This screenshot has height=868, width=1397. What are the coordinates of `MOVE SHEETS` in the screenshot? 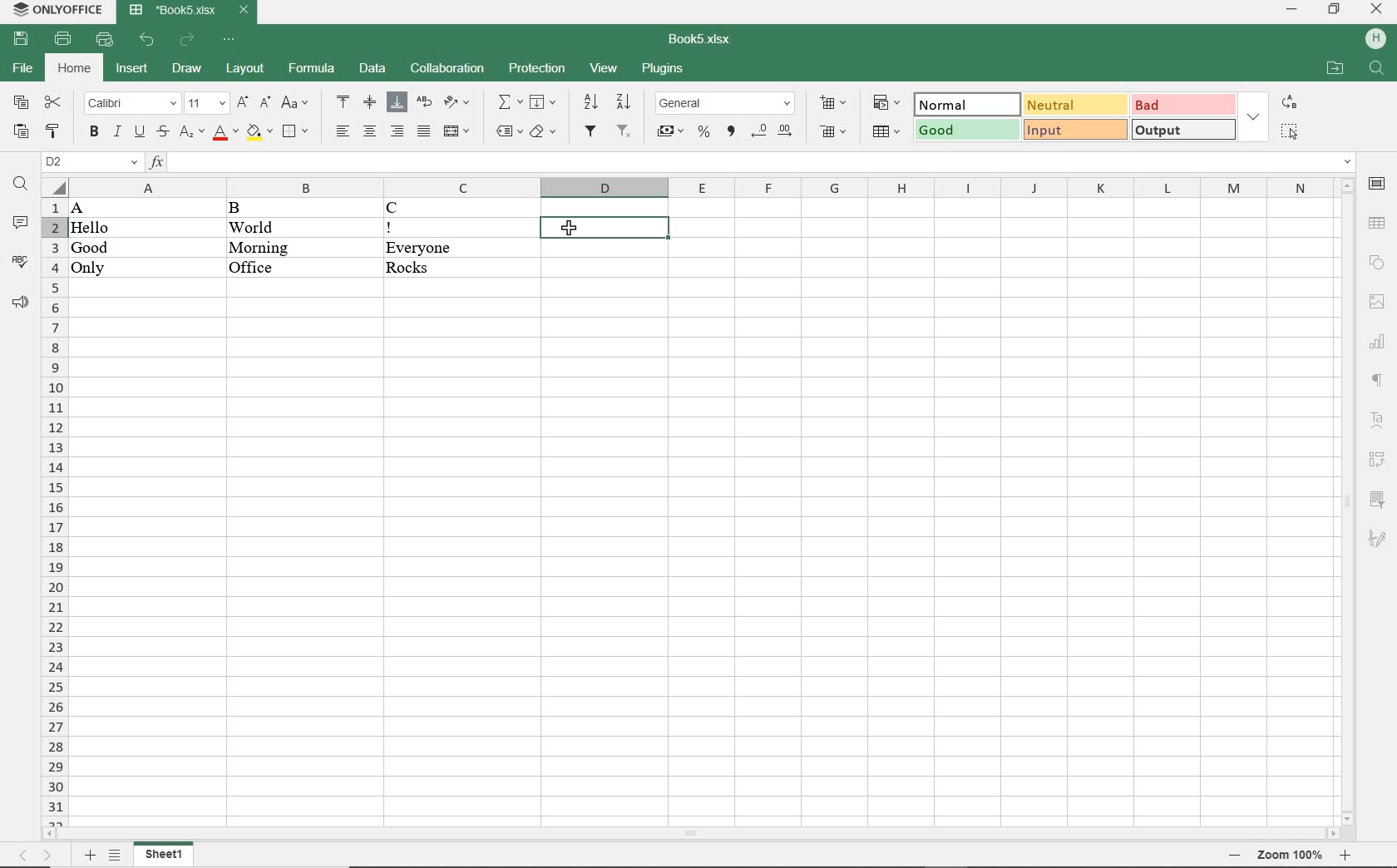 It's located at (35, 856).